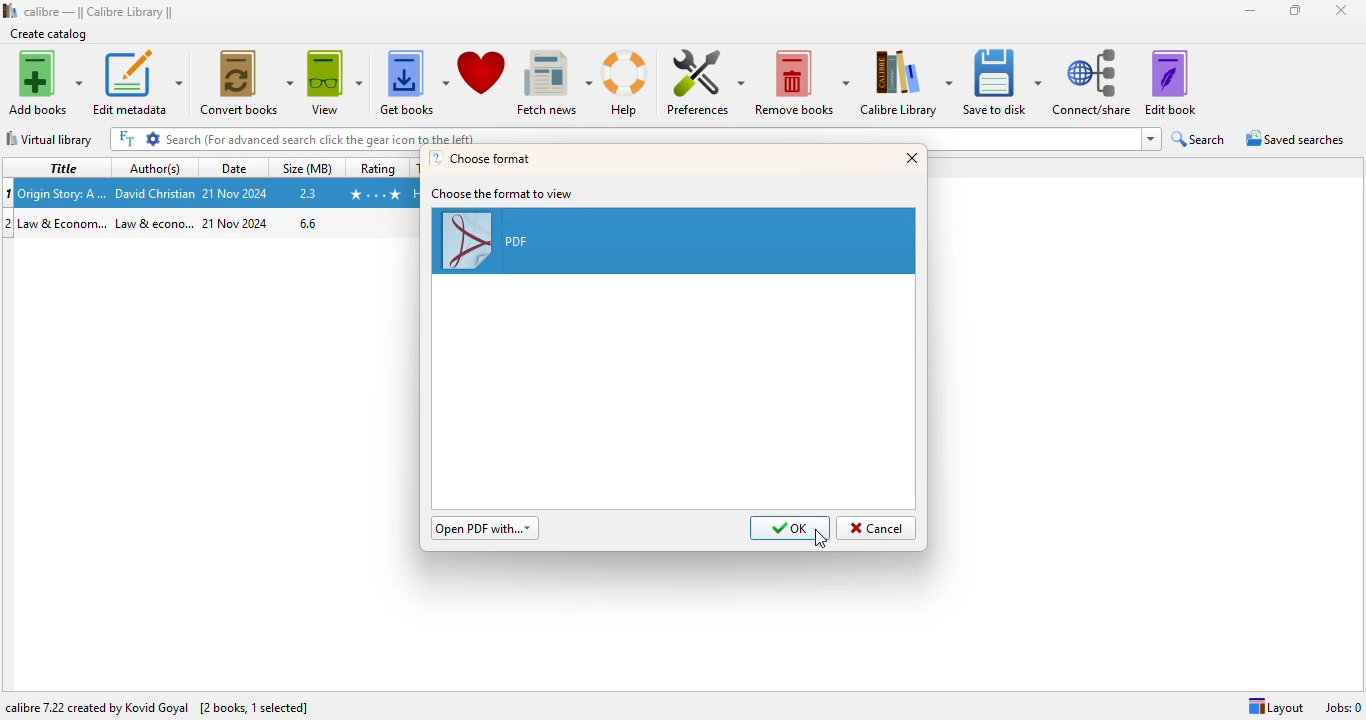  What do you see at coordinates (1151, 139) in the screenshot?
I see `dropdown` at bounding box center [1151, 139].